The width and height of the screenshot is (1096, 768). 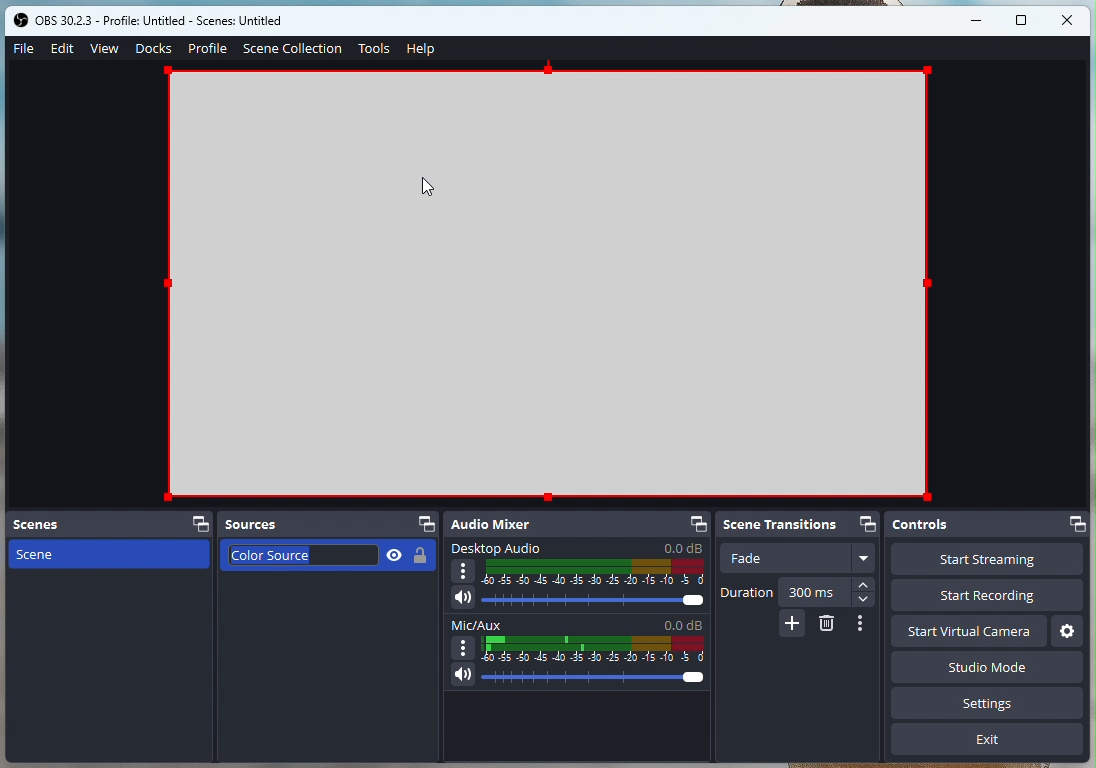 I want to click on close, so click(x=1068, y=19).